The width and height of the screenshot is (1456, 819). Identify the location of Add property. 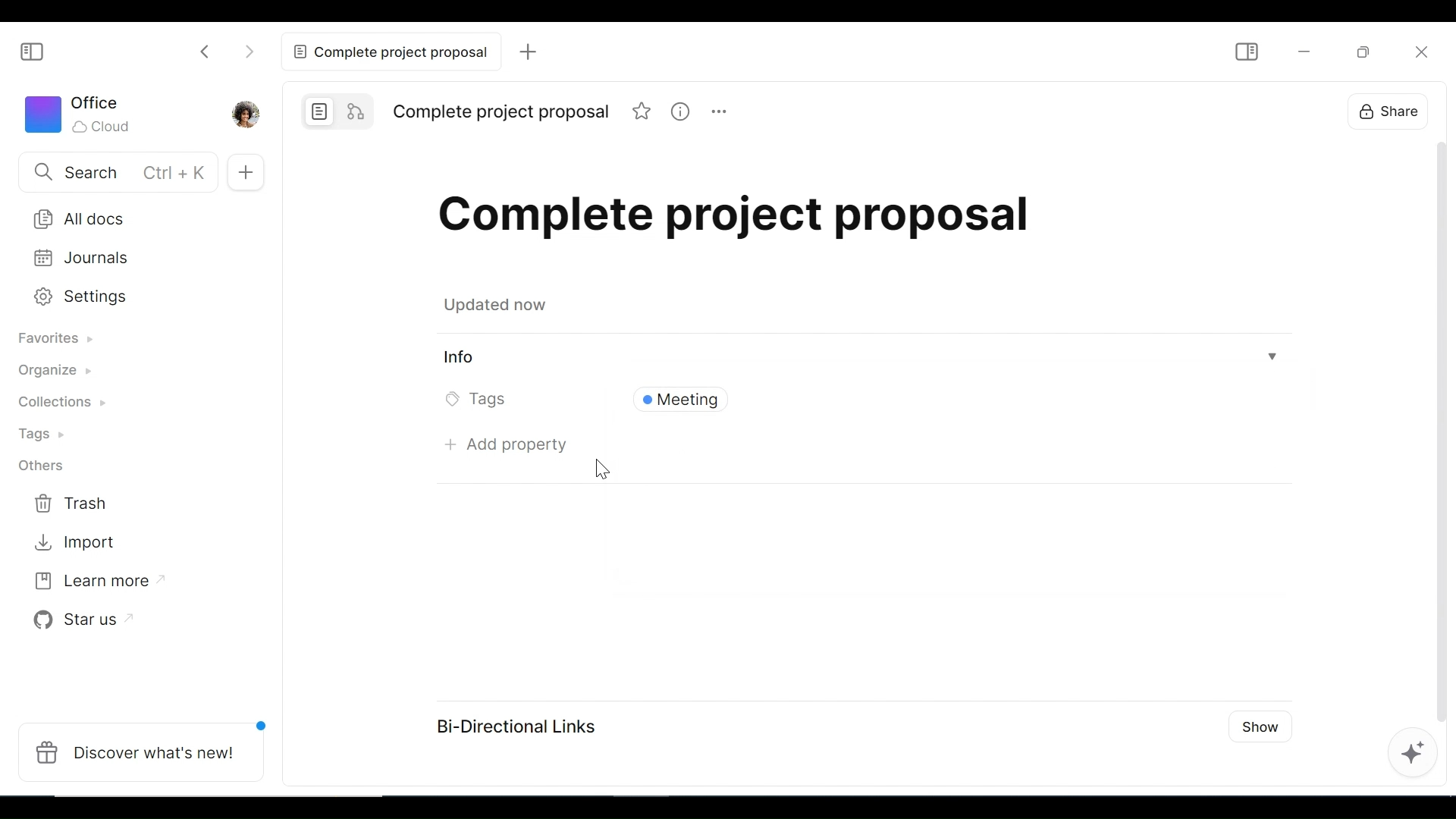
(502, 449).